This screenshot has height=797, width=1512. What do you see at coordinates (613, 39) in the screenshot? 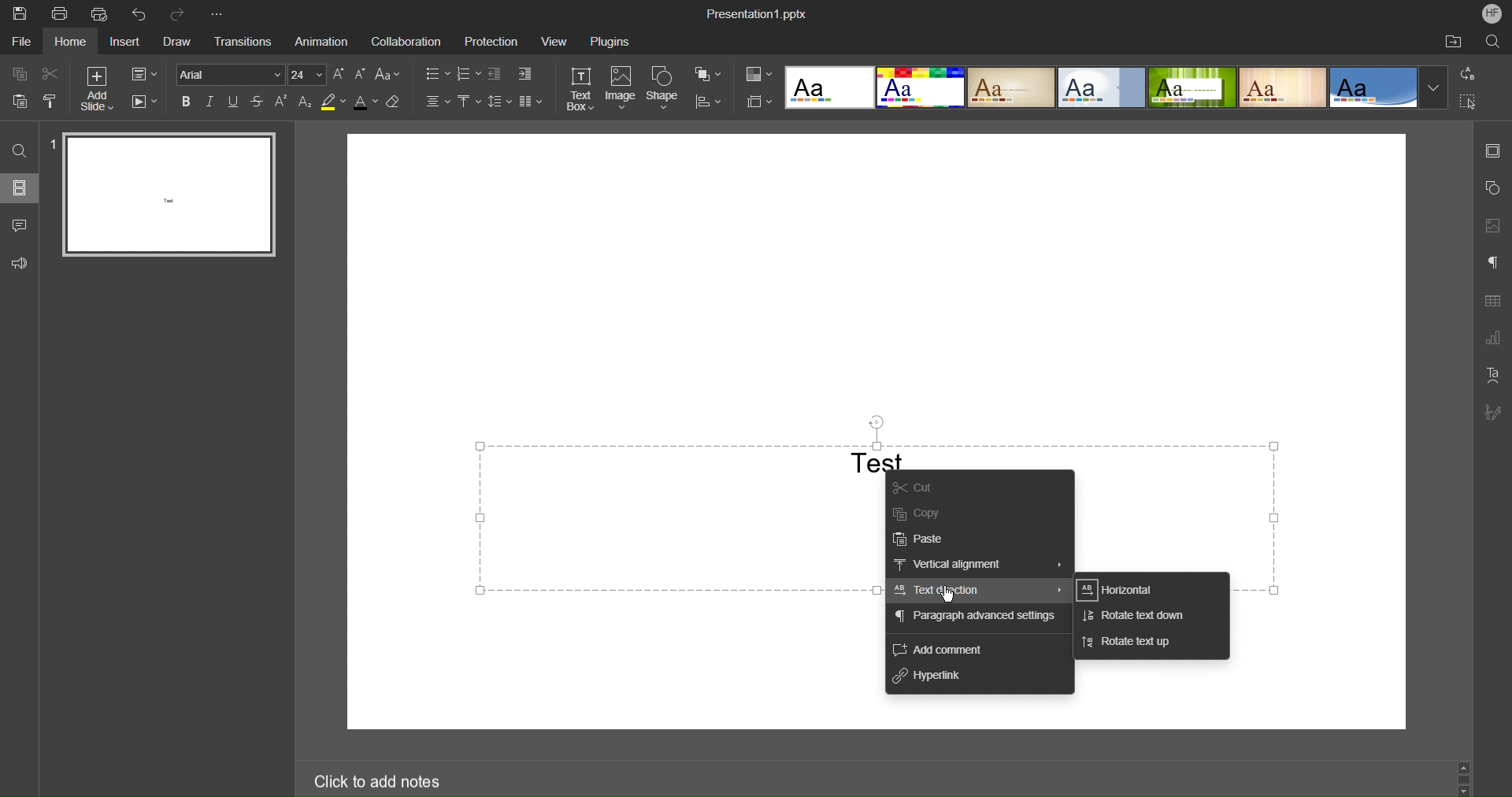
I see `Plugins` at bounding box center [613, 39].